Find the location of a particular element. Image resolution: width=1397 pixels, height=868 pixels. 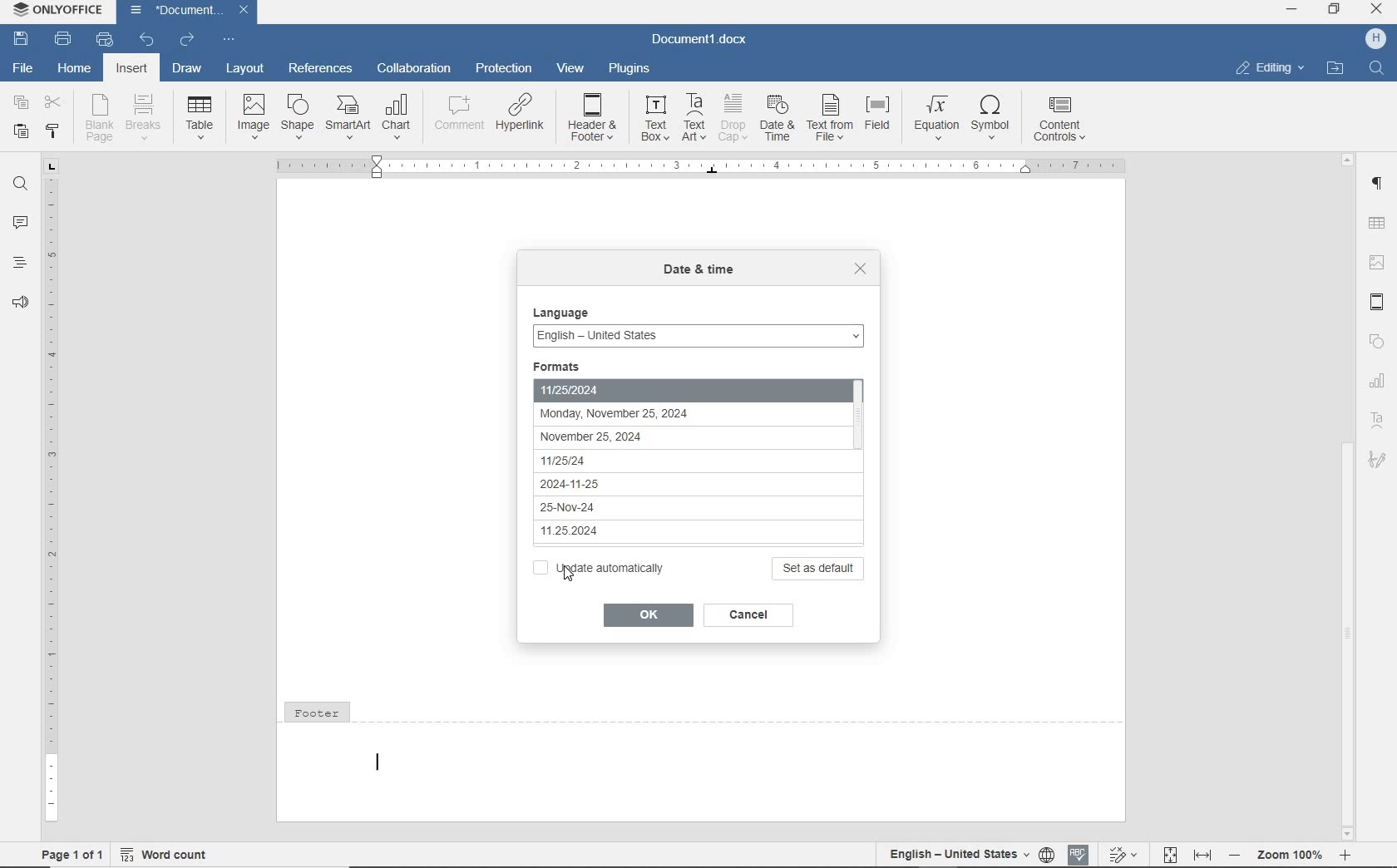

collaboration is located at coordinates (412, 70).